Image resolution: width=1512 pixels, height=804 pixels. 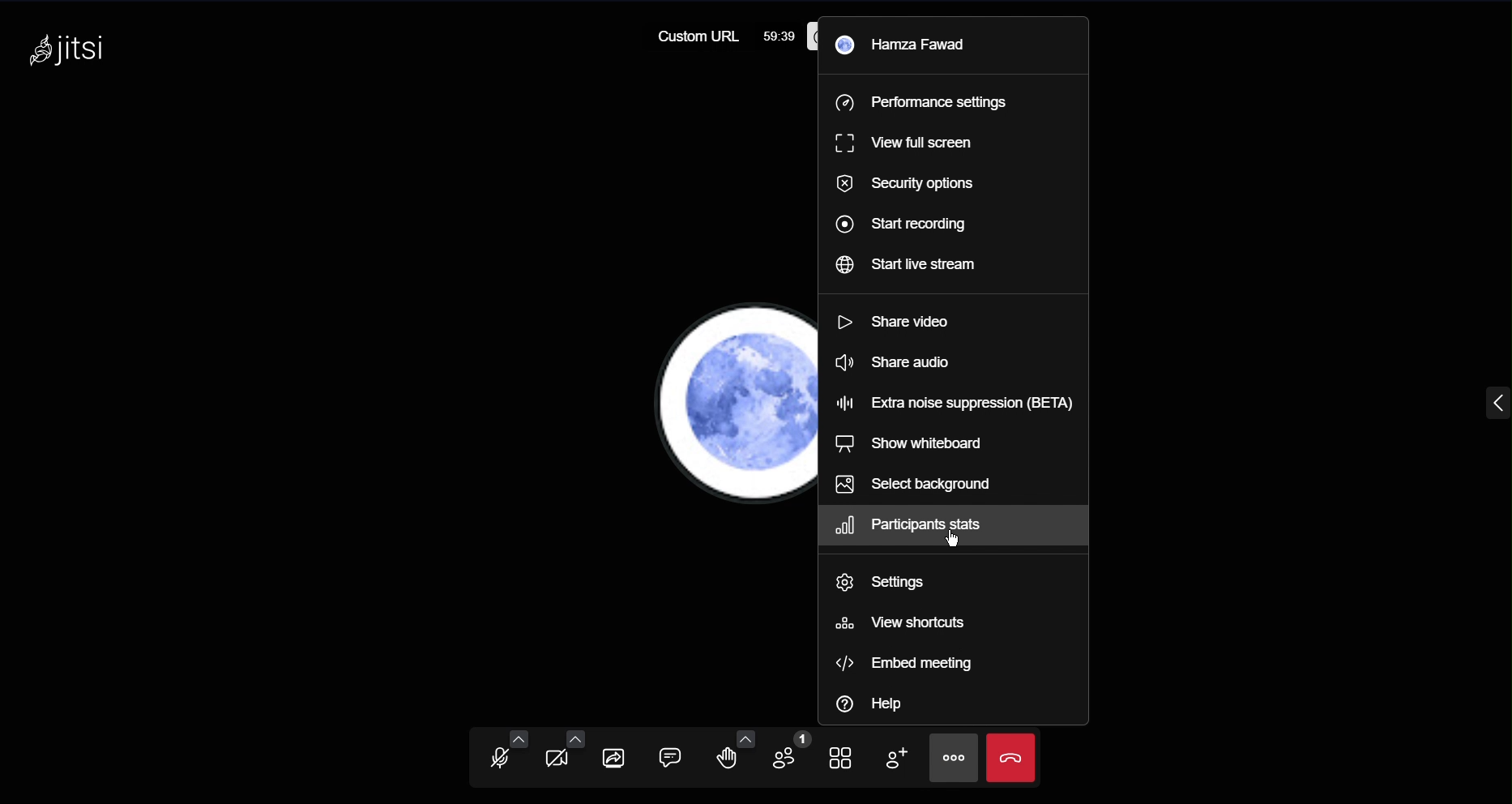 What do you see at coordinates (908, 148) in the screenshot?
I see `View fullscreen` at bounding box center [908, 148].